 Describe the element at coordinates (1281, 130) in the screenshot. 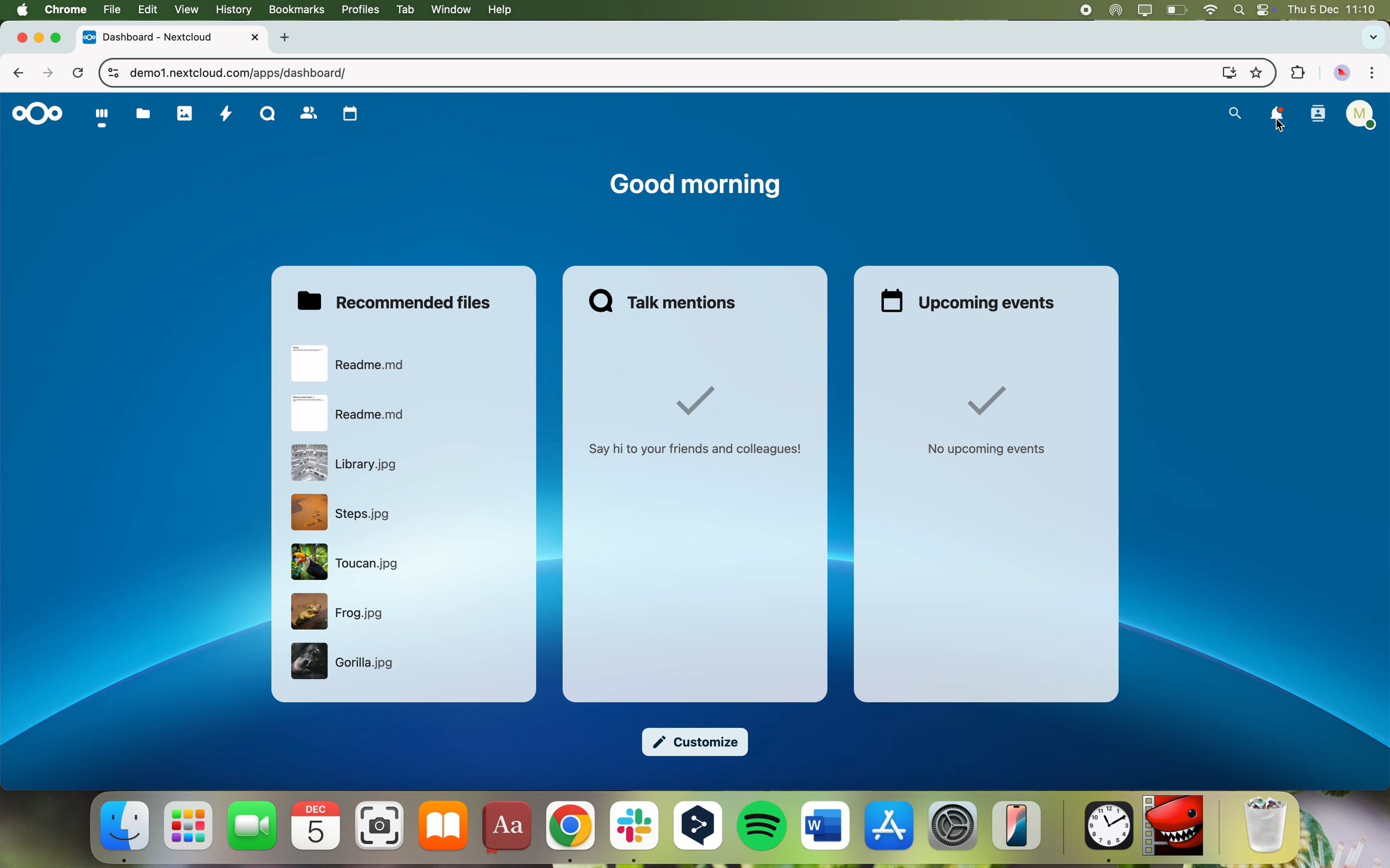

I see `cursor` at that location.